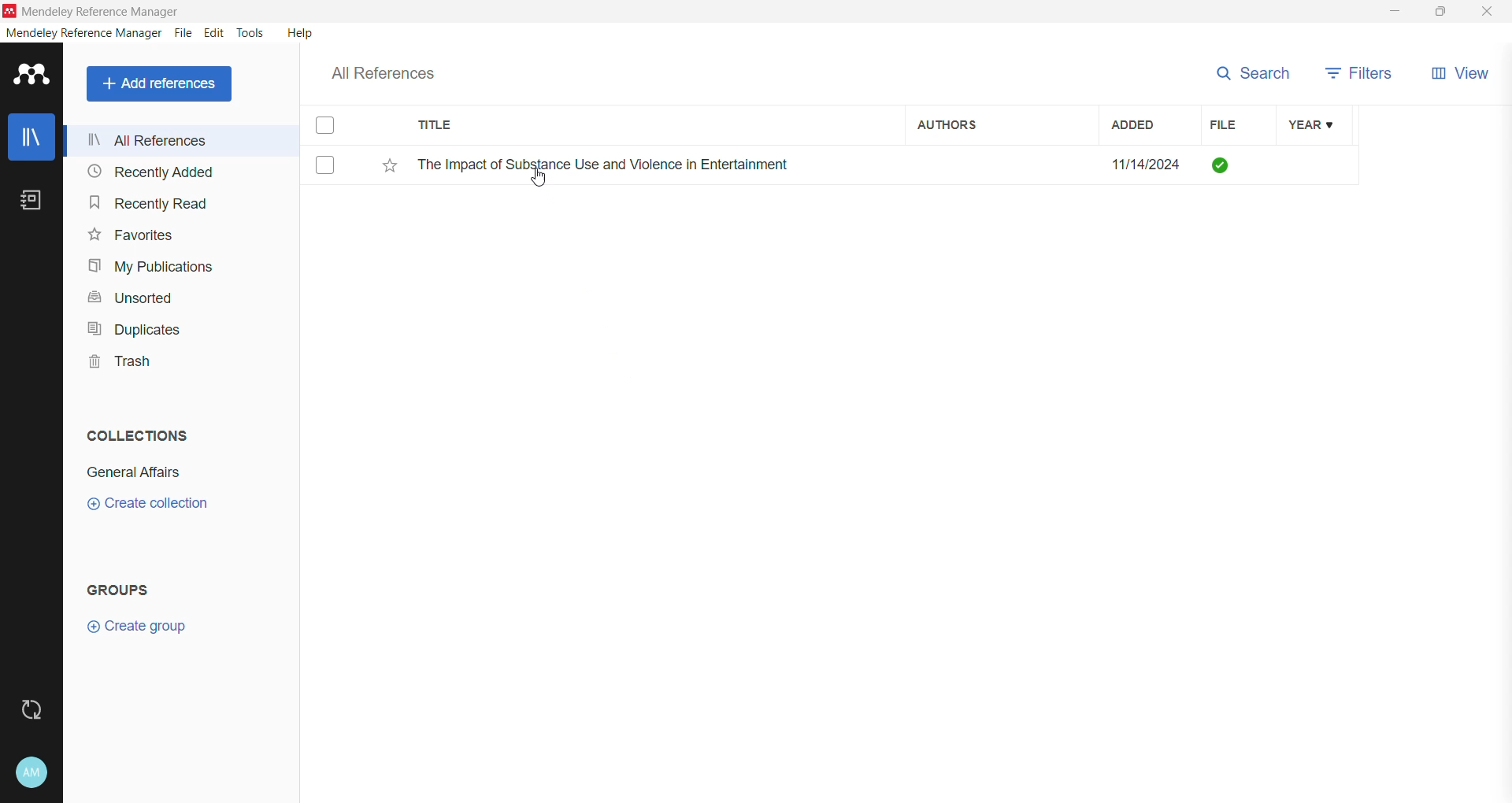 This screenshot has width=1512, height=803. I want to click on My Publications, so click(149, 267).